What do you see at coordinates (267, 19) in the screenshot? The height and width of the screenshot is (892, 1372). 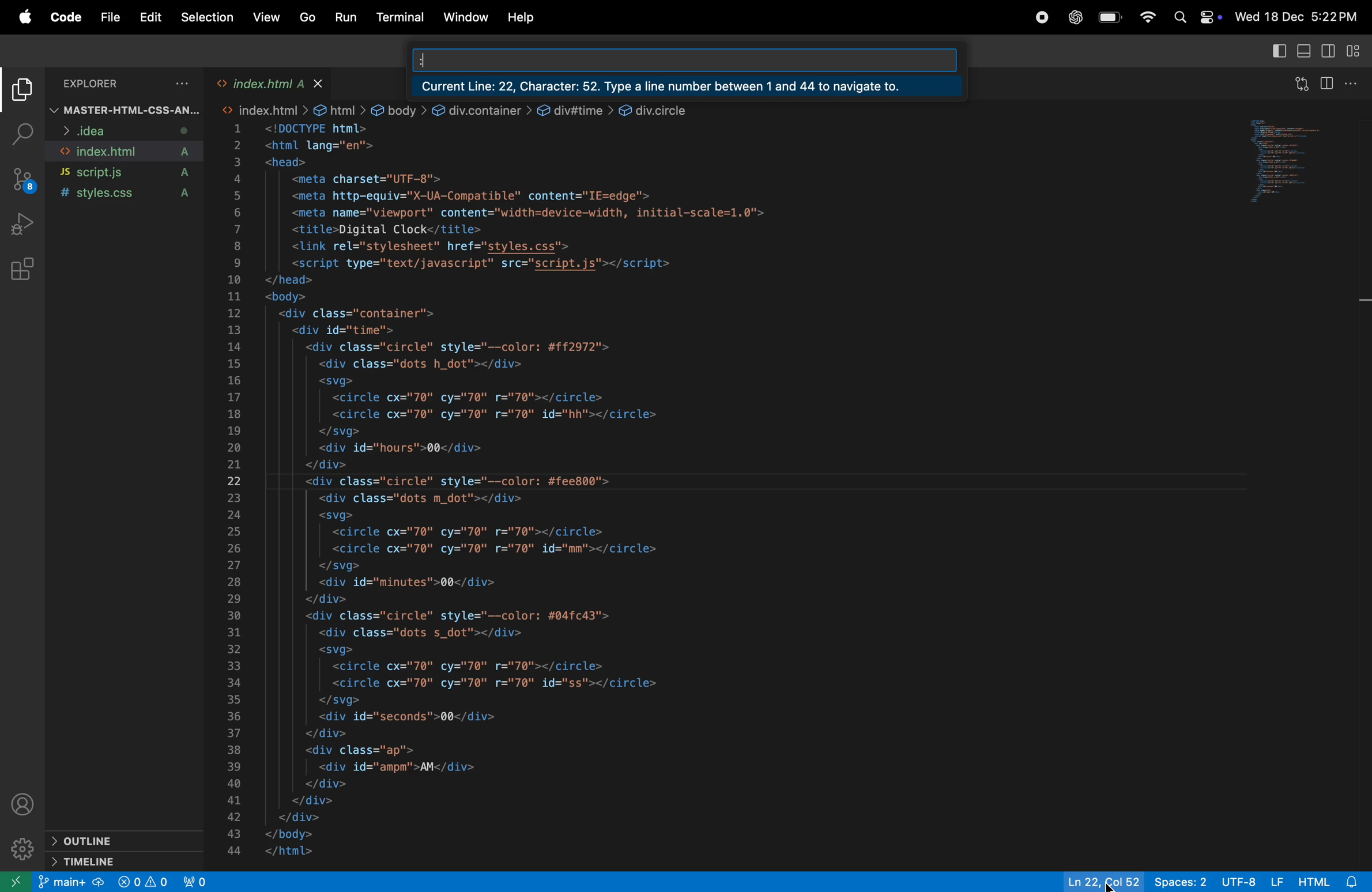 I see `view` at bounding box center [267, 19].